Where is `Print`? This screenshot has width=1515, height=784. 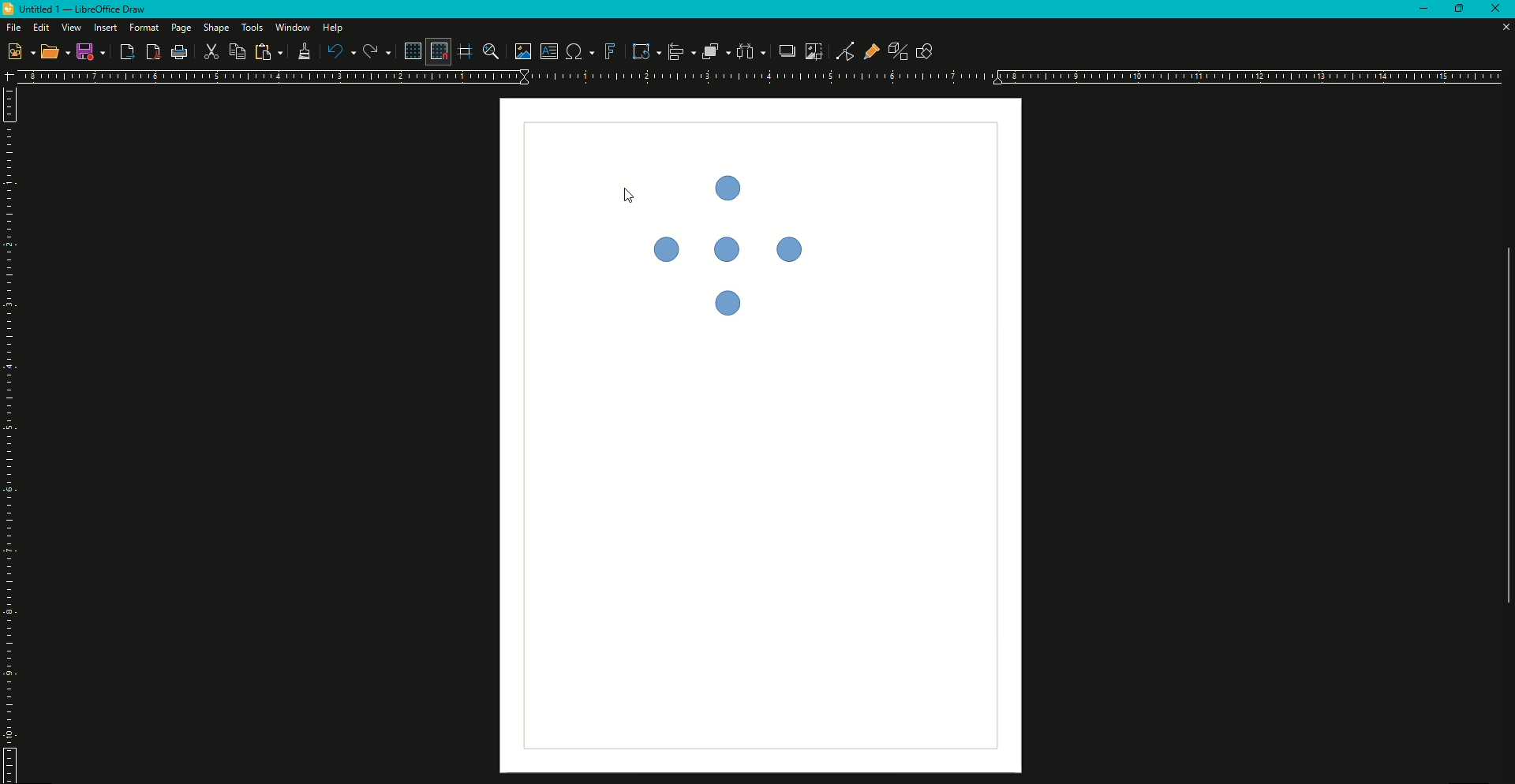
Print is located at coordinates (181, 53).